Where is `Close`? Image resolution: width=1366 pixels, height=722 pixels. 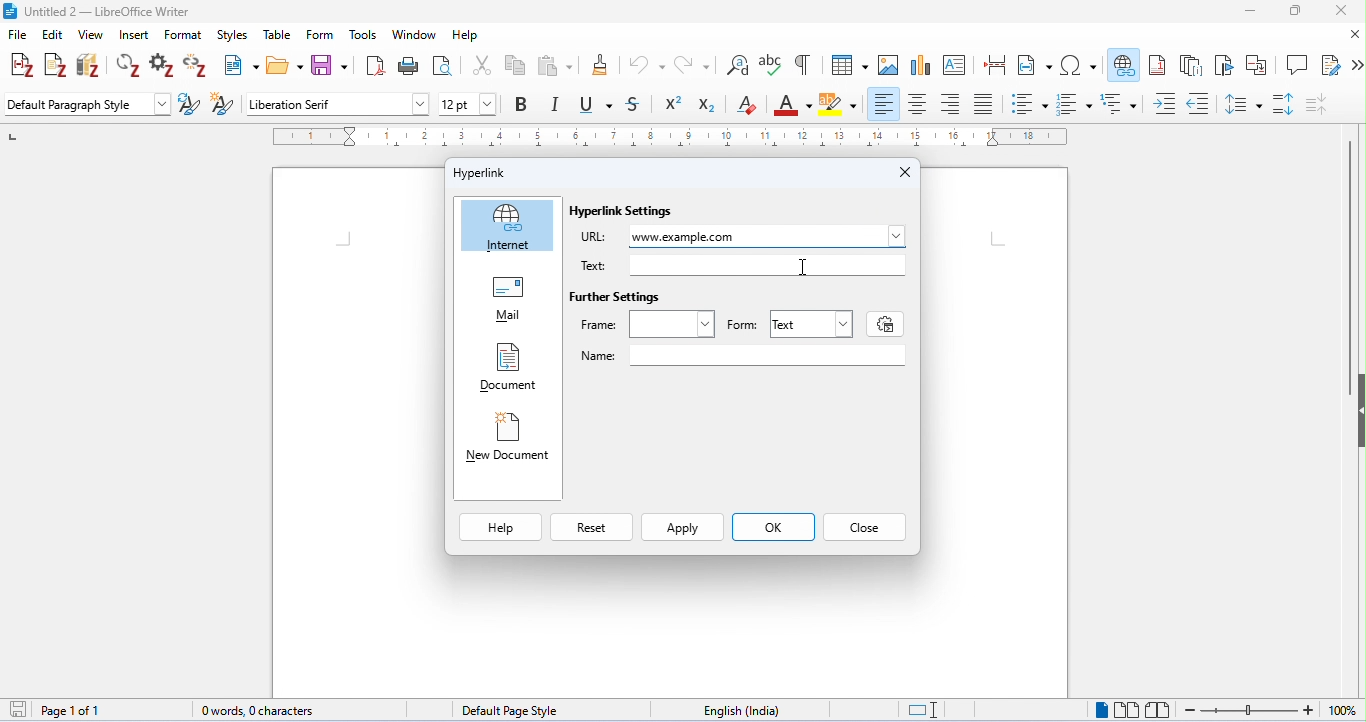
Close is located at coordinates (906, 171).